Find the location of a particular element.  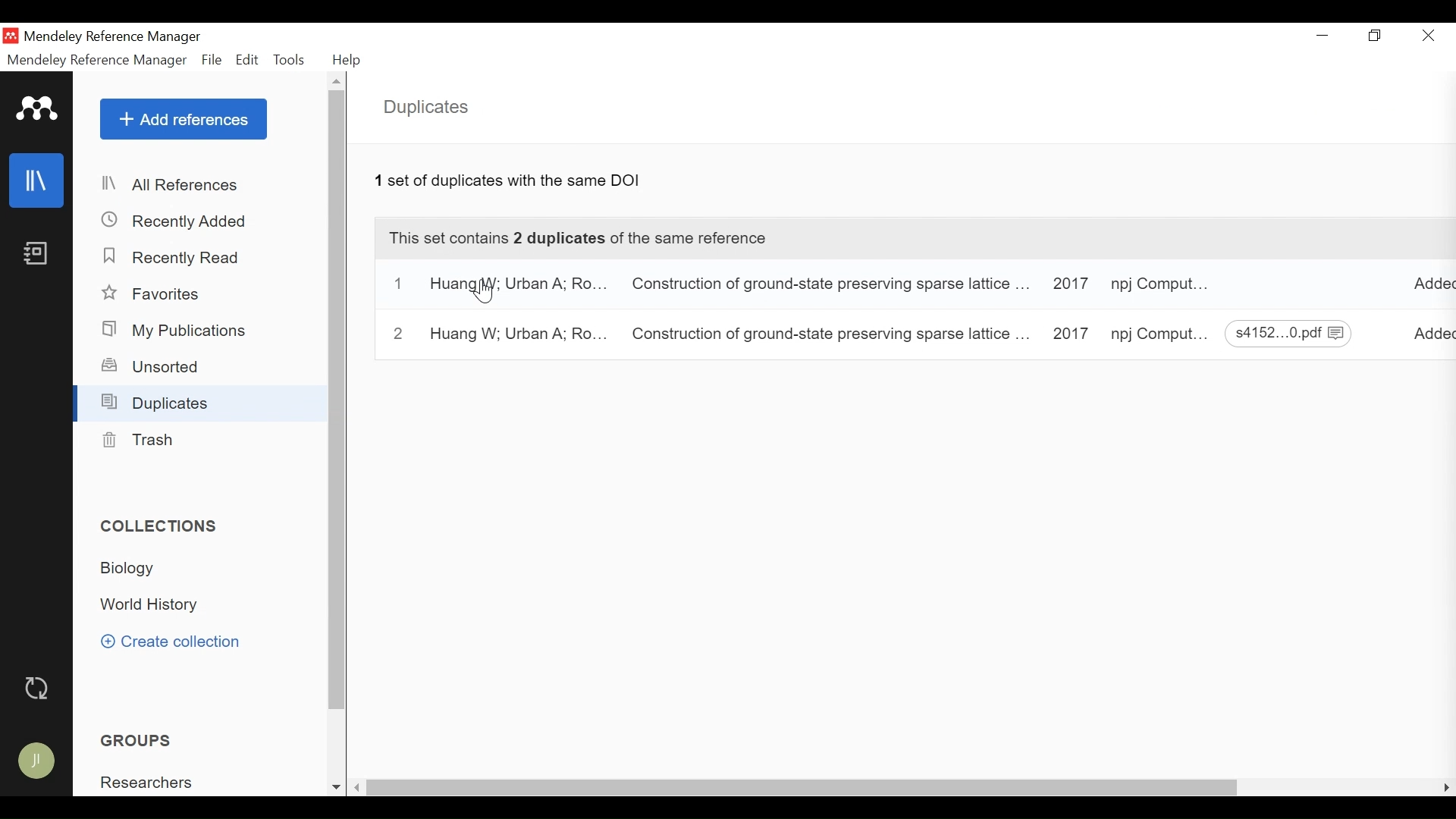

Create Collection is located at coordinates (169, 643).